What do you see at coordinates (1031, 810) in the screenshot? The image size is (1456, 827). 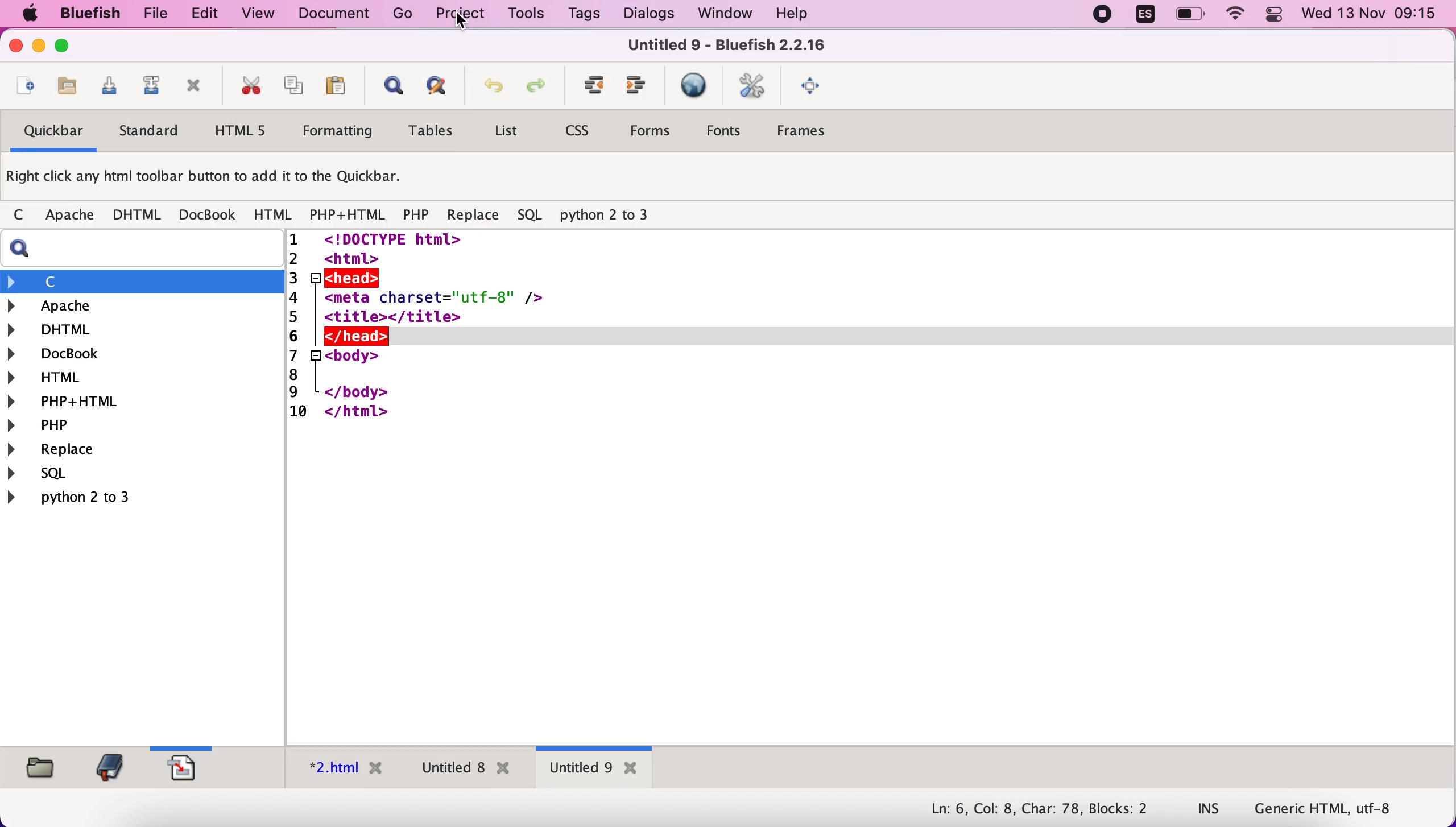 I see `lines, column, blocks` at bounding box center [1031, 810].